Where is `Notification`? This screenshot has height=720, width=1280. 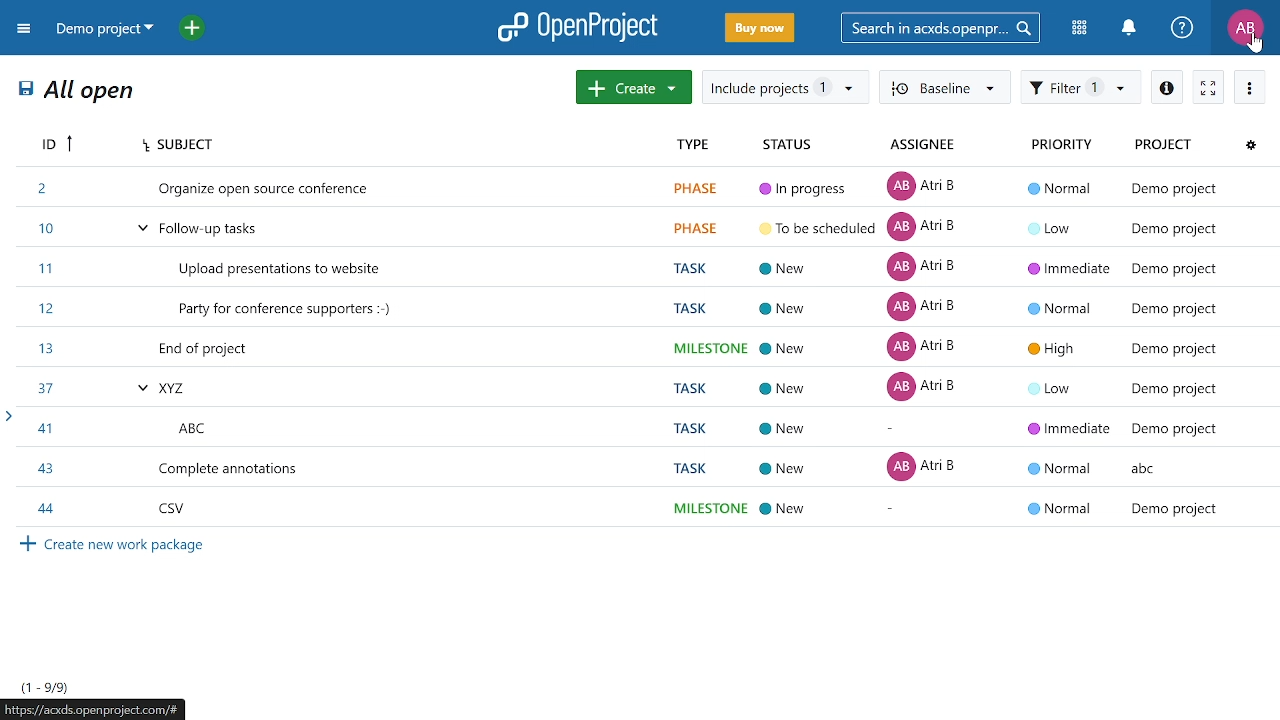
Notification is located at coordinates (1128, 28).